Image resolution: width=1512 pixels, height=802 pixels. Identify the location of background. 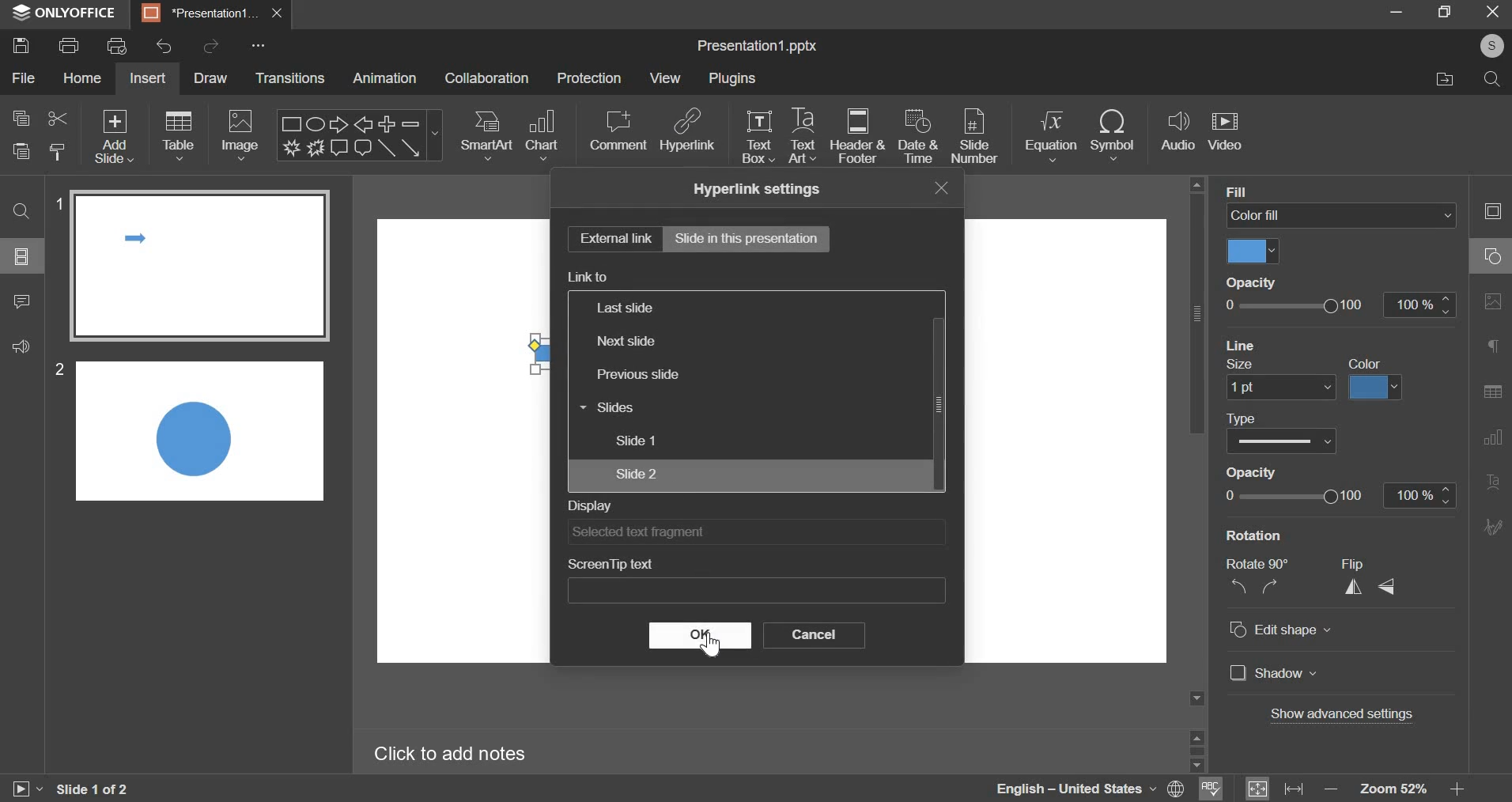
(1270, 191).